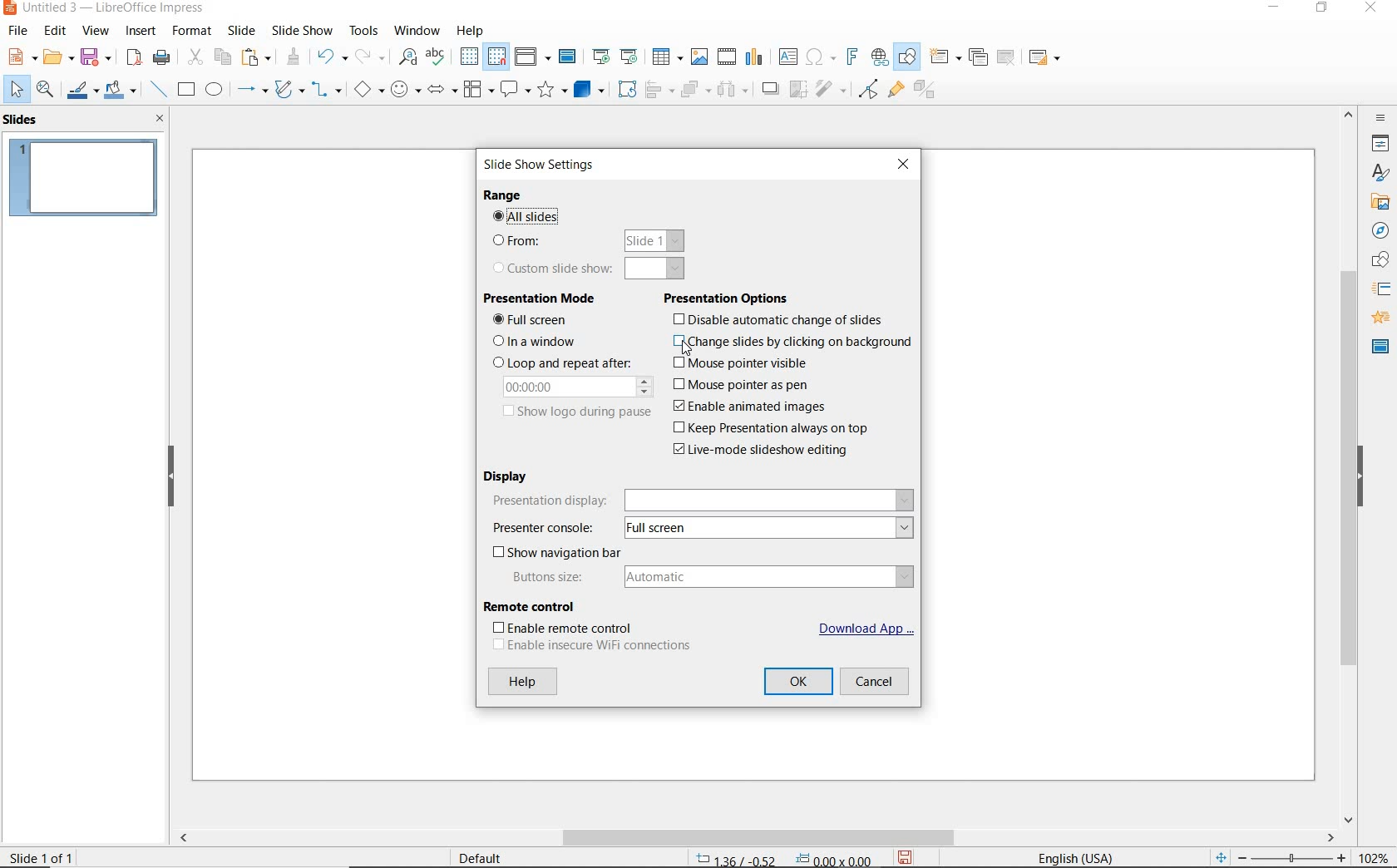  I want to click on SLIDE1, so click(83, 180).